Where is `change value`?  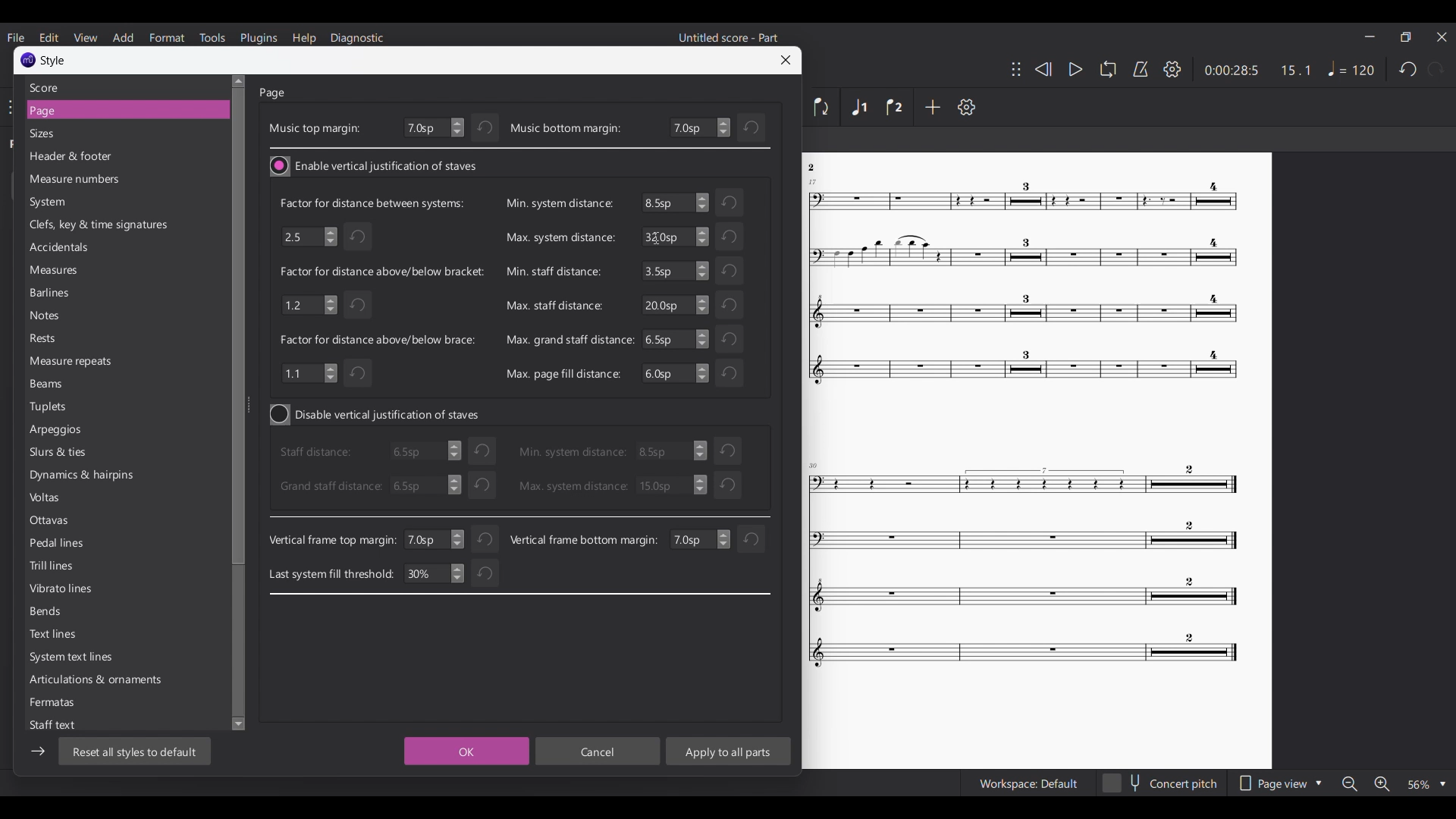 change value is located at coordinates (699, 539).